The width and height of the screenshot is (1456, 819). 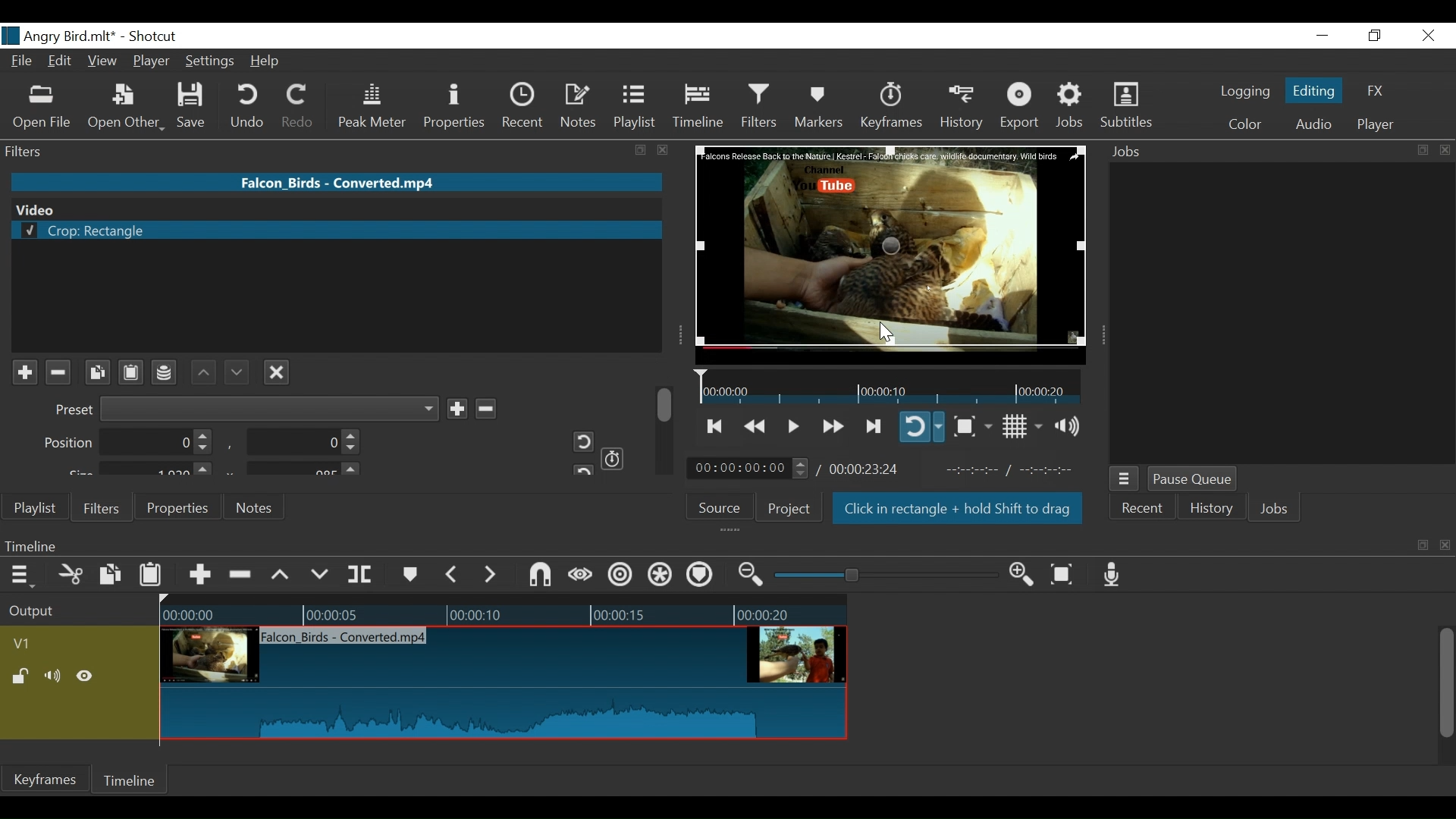 I want to click on Project, so click(x=789, y=508).